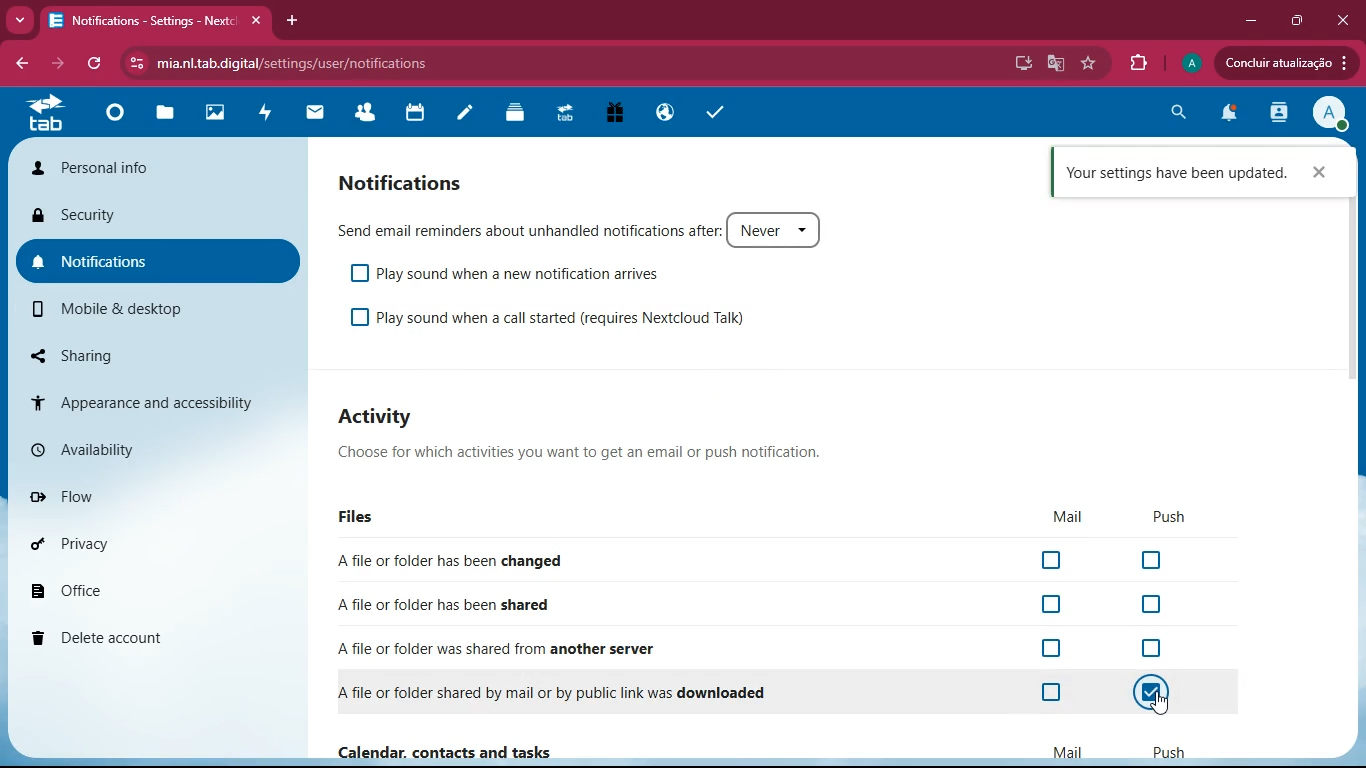 This screenshot has height=768, width=1366. I want to click on notifications, so click(1231, 115).